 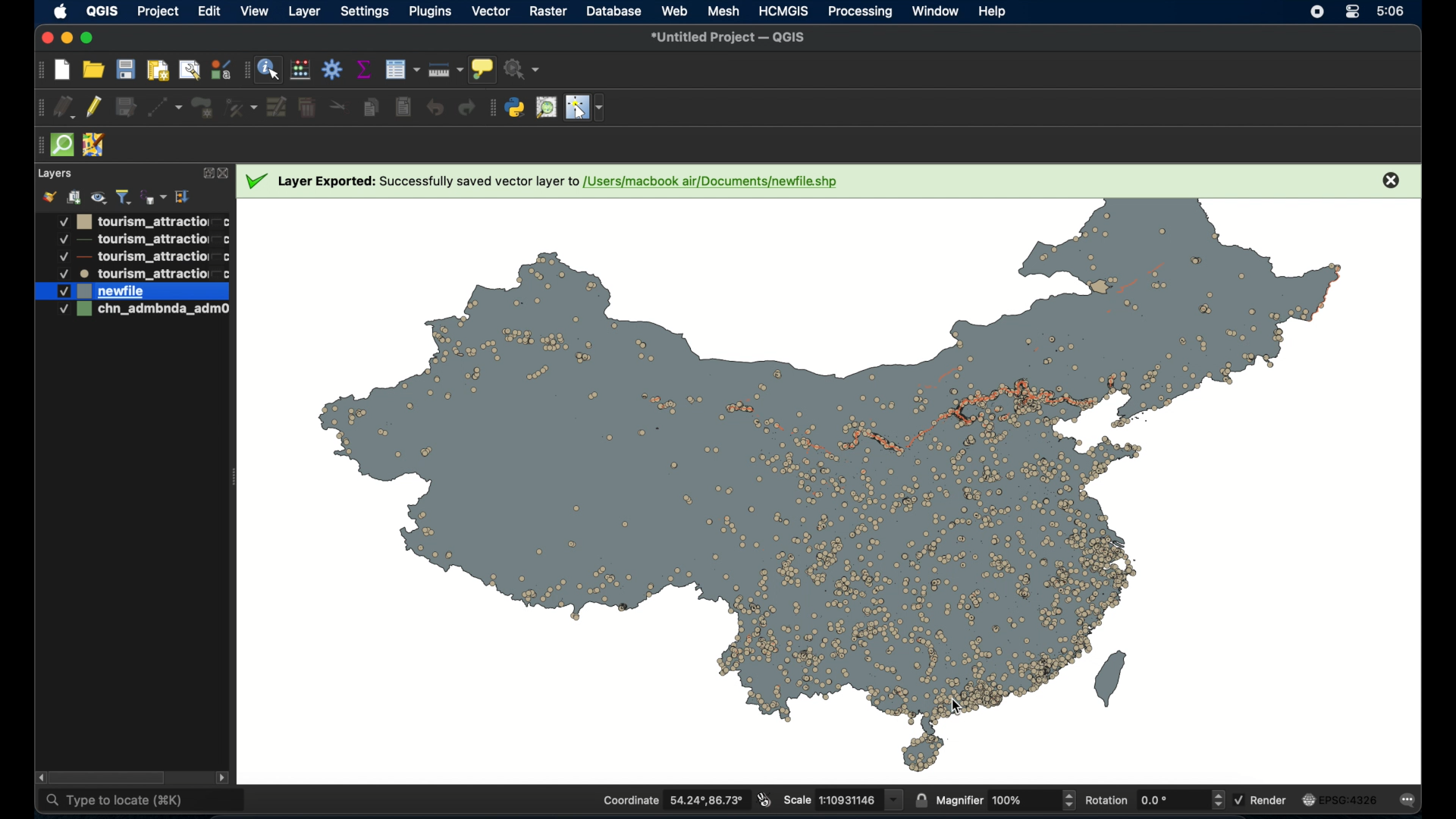 What do you see at coordinates (102, 11) in the screenshot?
I see `QGIS` at bounding box center [102, 11].